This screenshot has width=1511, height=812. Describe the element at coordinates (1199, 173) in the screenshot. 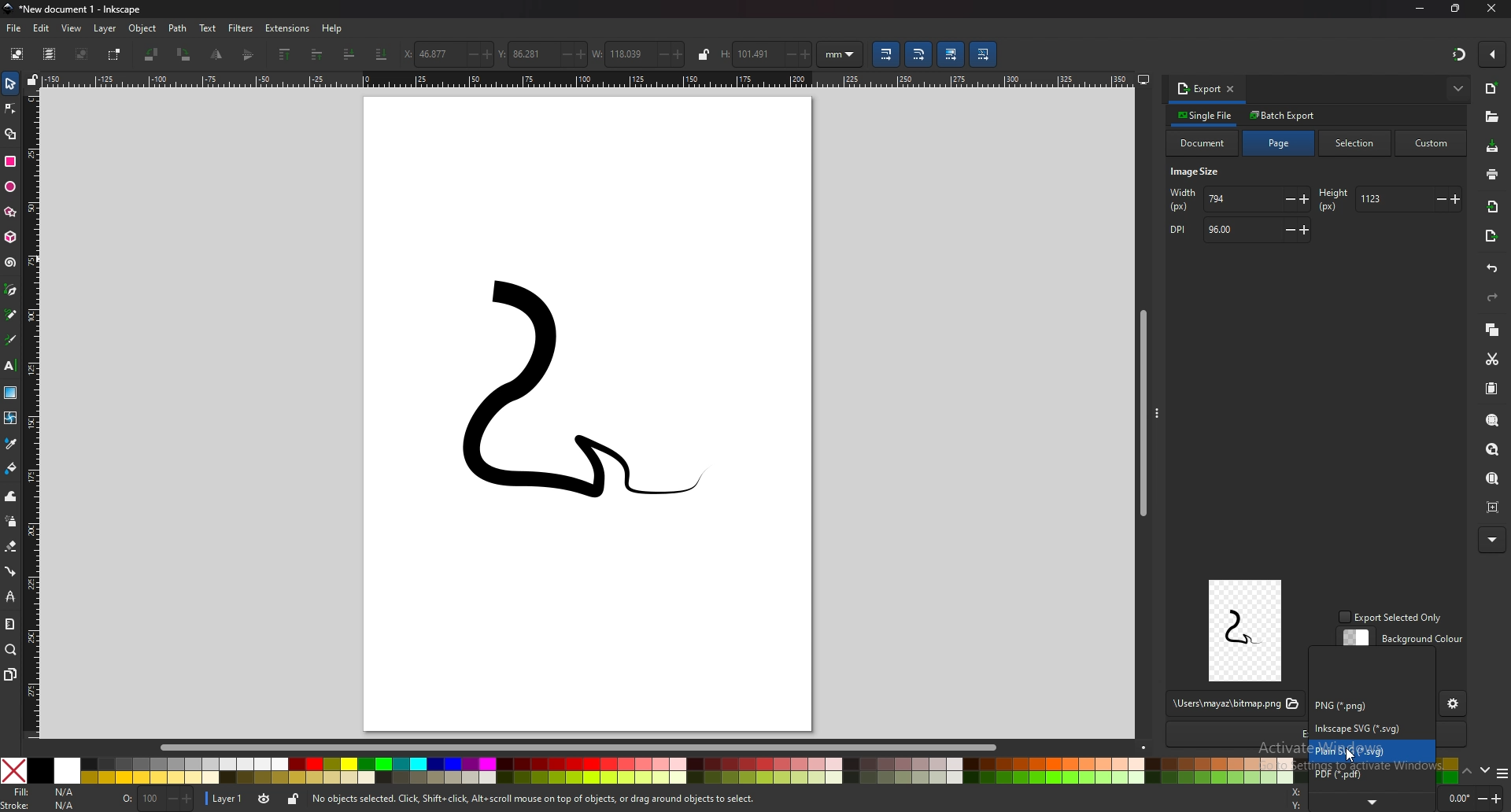

I see `image size` at that location.